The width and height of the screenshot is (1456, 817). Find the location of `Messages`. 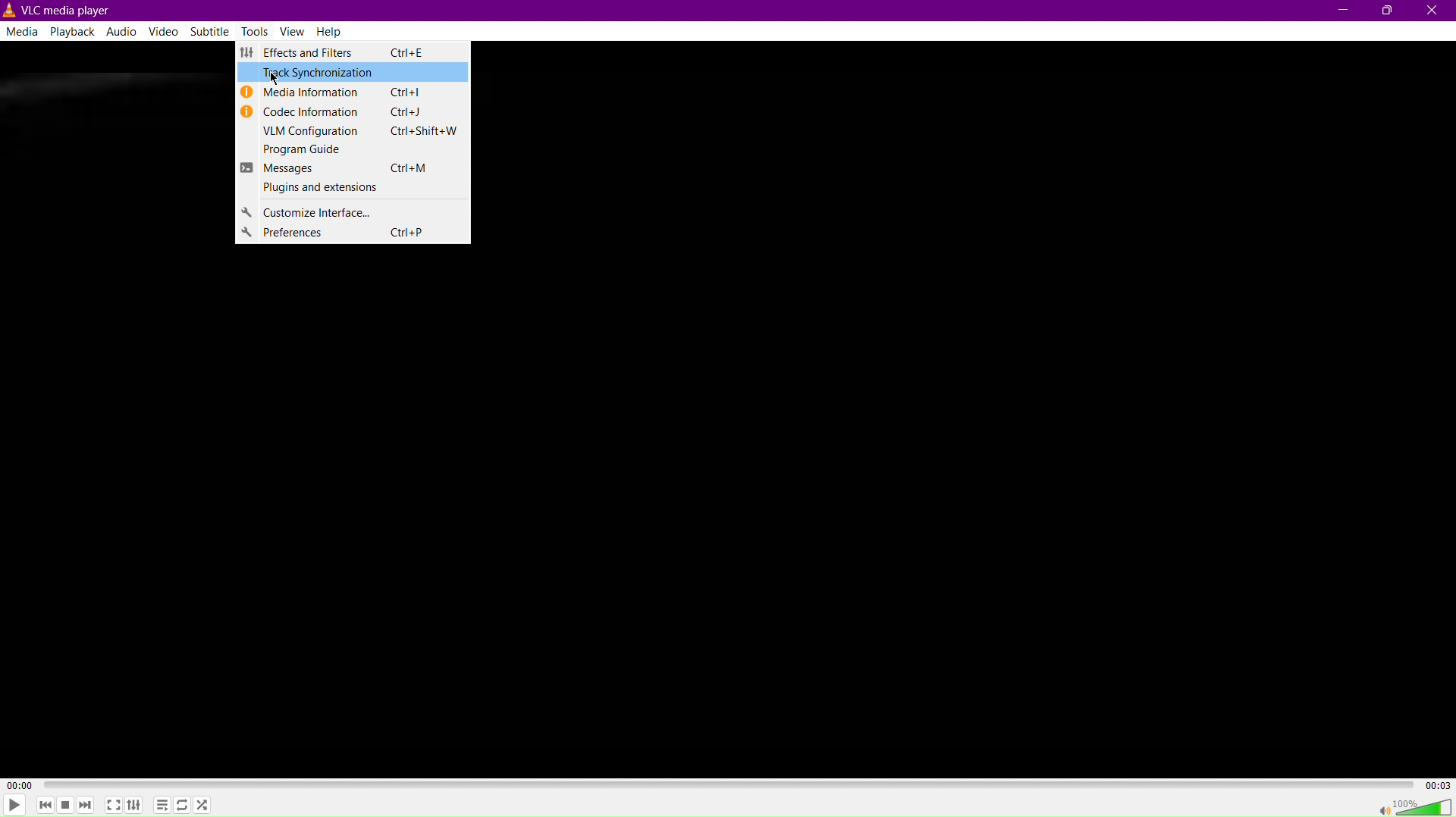

Messages is located at coordinates (347, 168).